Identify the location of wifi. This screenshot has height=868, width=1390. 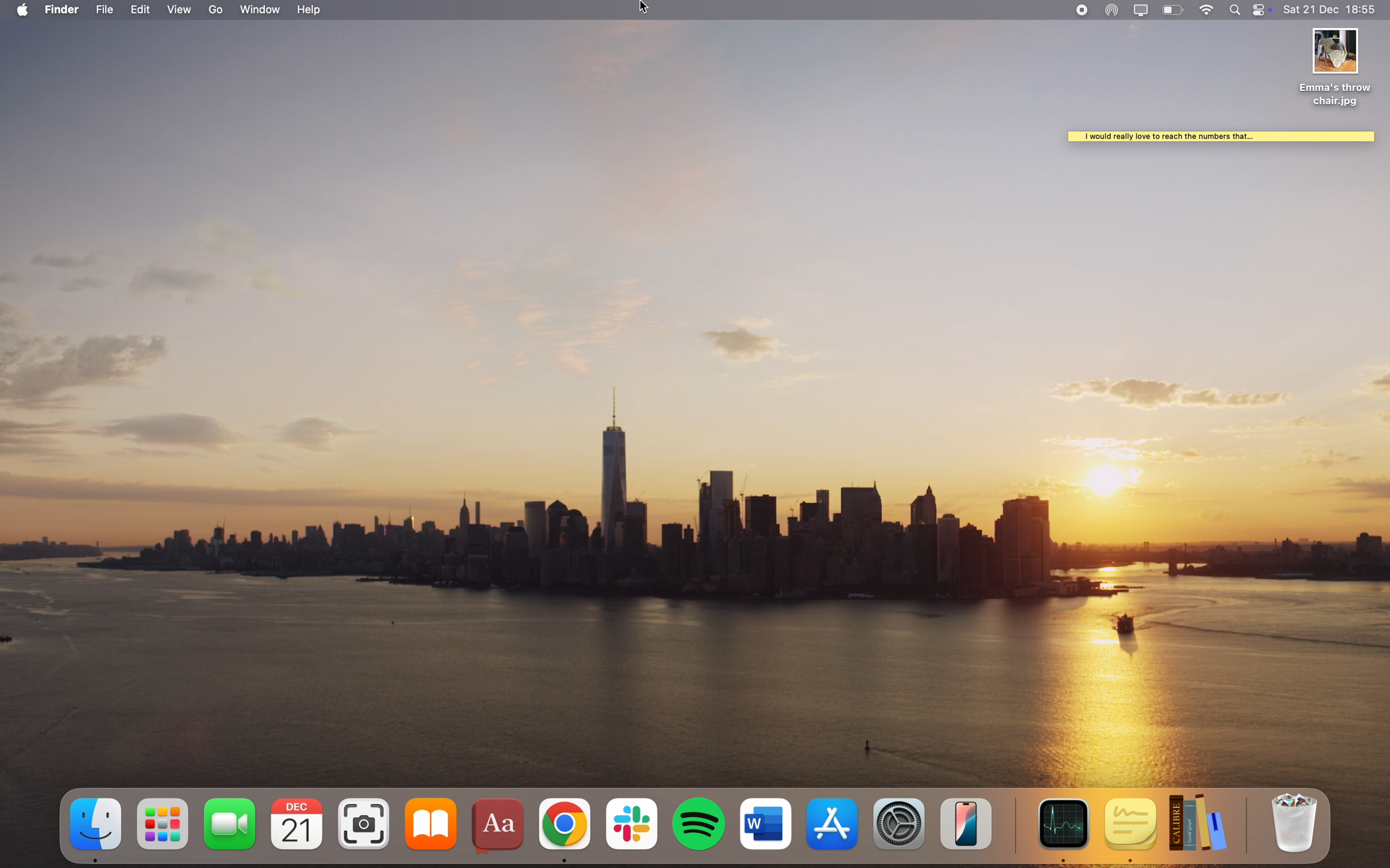
(1206, 10).